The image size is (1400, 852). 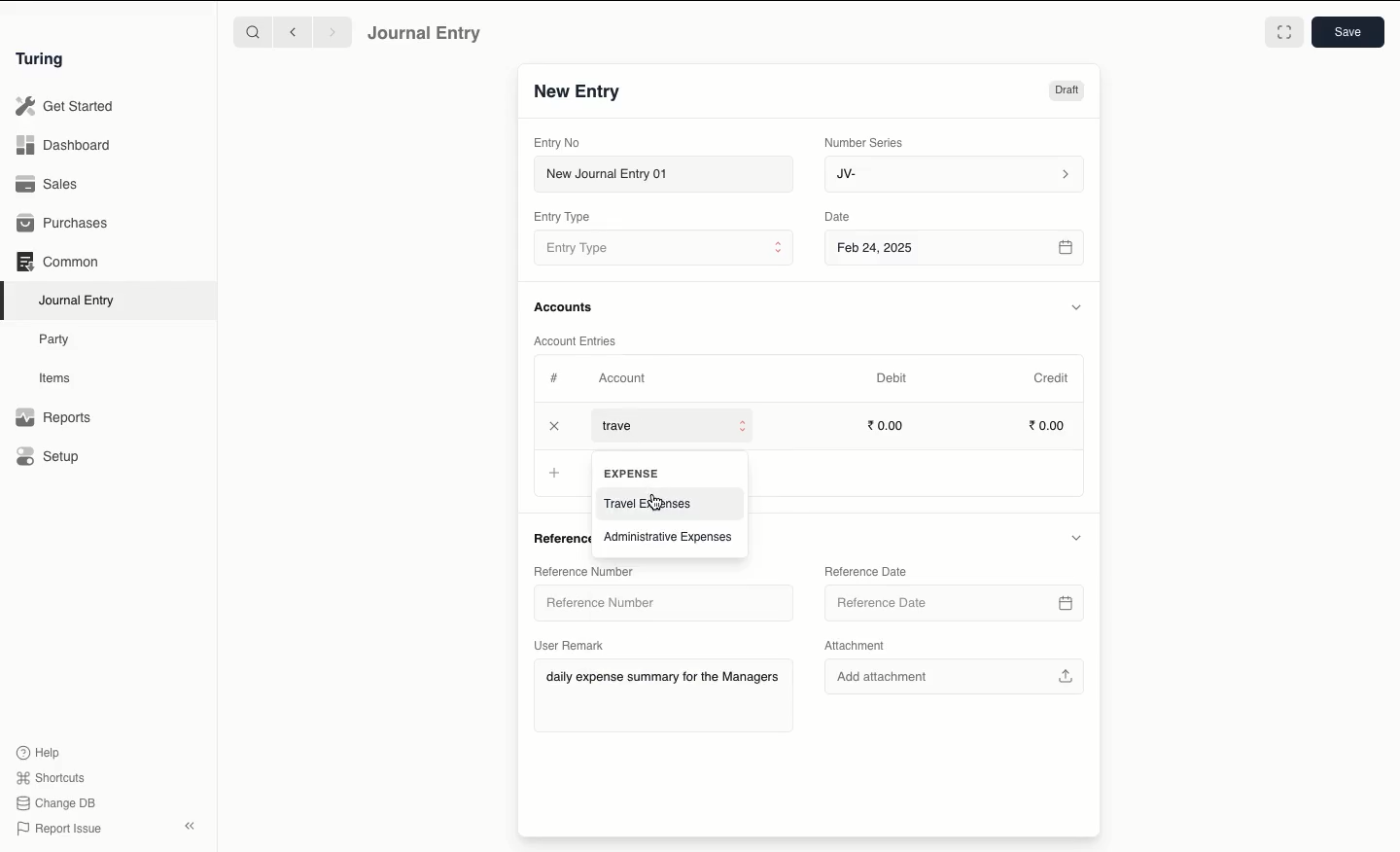 I want to click on User Remark, so click(x=572, y=645).